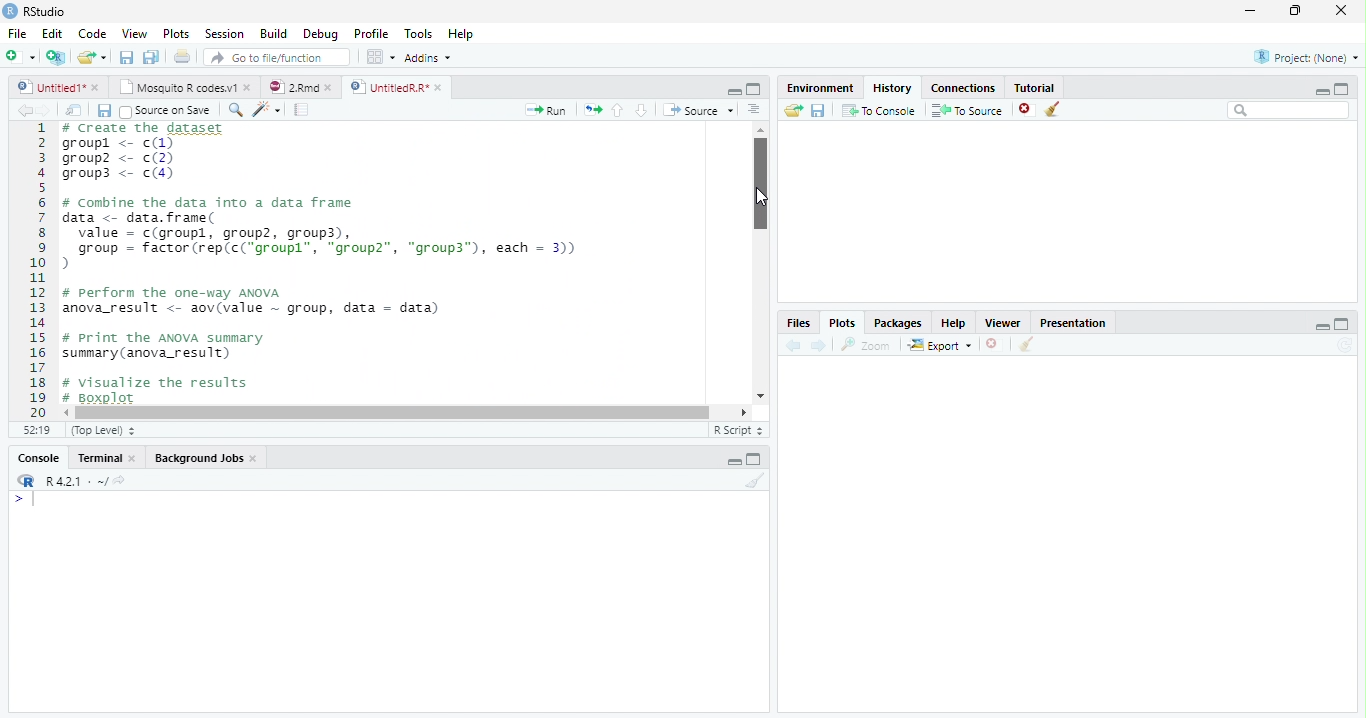 The width and height of the screenshot is (1366, 718). What do you see at coordinates (617, 109) in the screenshot?
I see `Go to previous section` at bounding box center [617, 109].